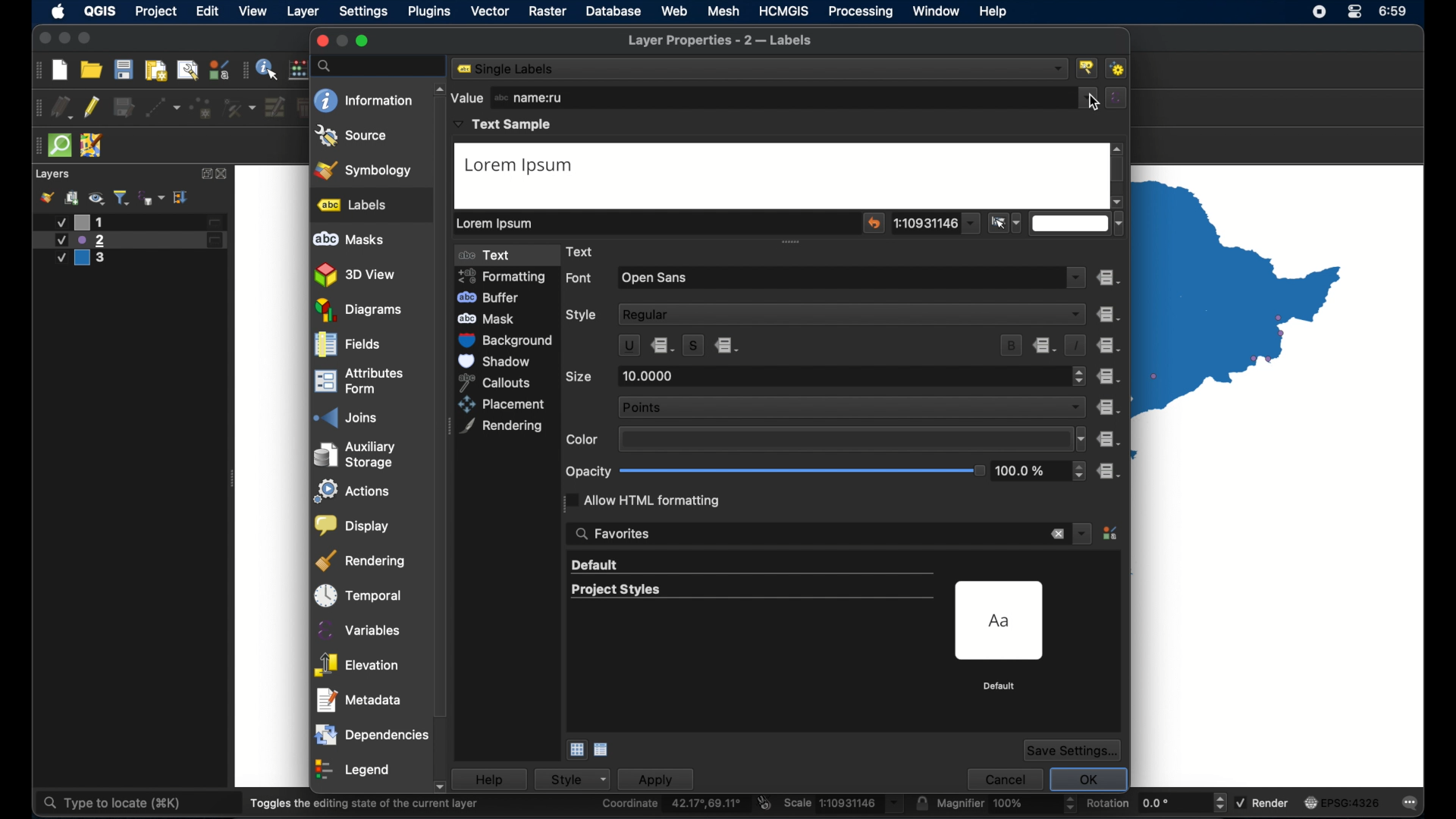  What do you see at coordinates (1108, 314) in the screenshot?
I see `data defined override` at bounding box center [1108, 314].